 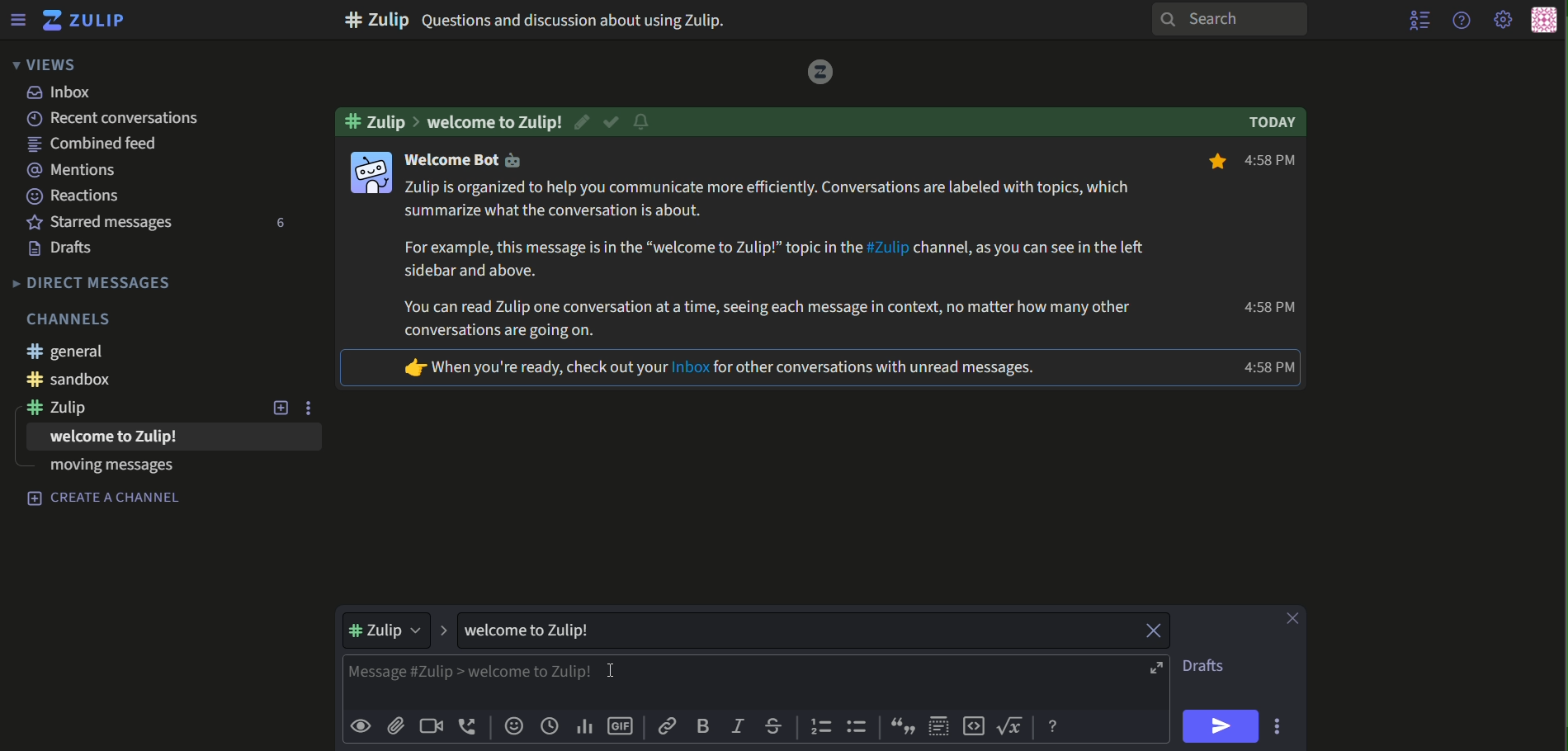 What do you see at coordinates (550, 727) in the screenshot?
I see `add global time` at bounding box center [550, 727].